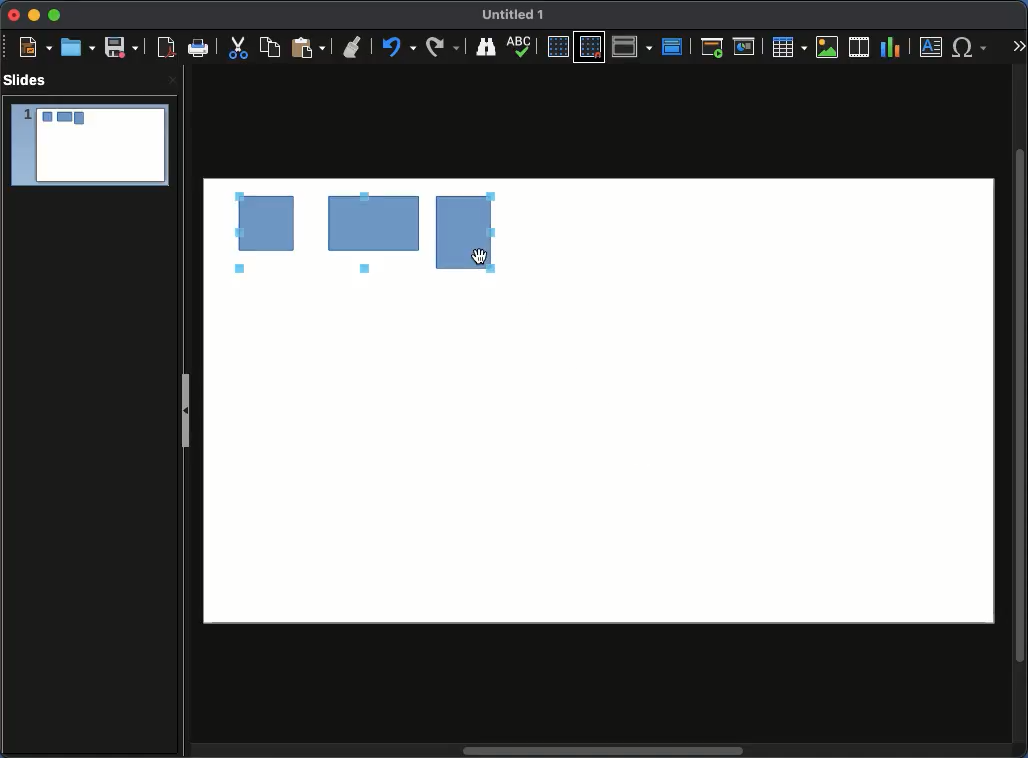 The height and width of the screenshot is (758, 1028). I want to click on Objects, so click(349, 235).